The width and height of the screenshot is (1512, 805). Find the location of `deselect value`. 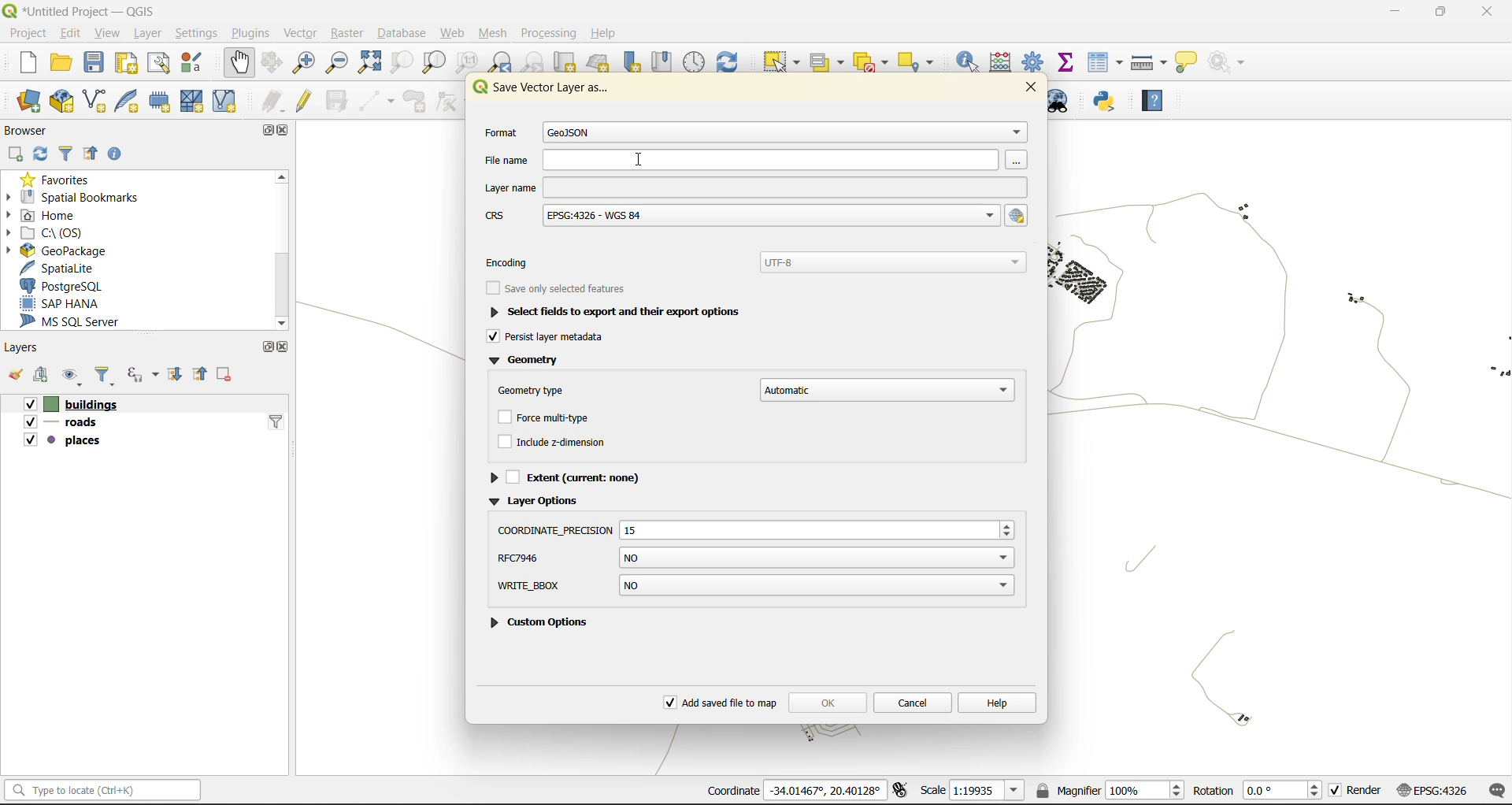

deselect value is located at coordinates (874, 63).